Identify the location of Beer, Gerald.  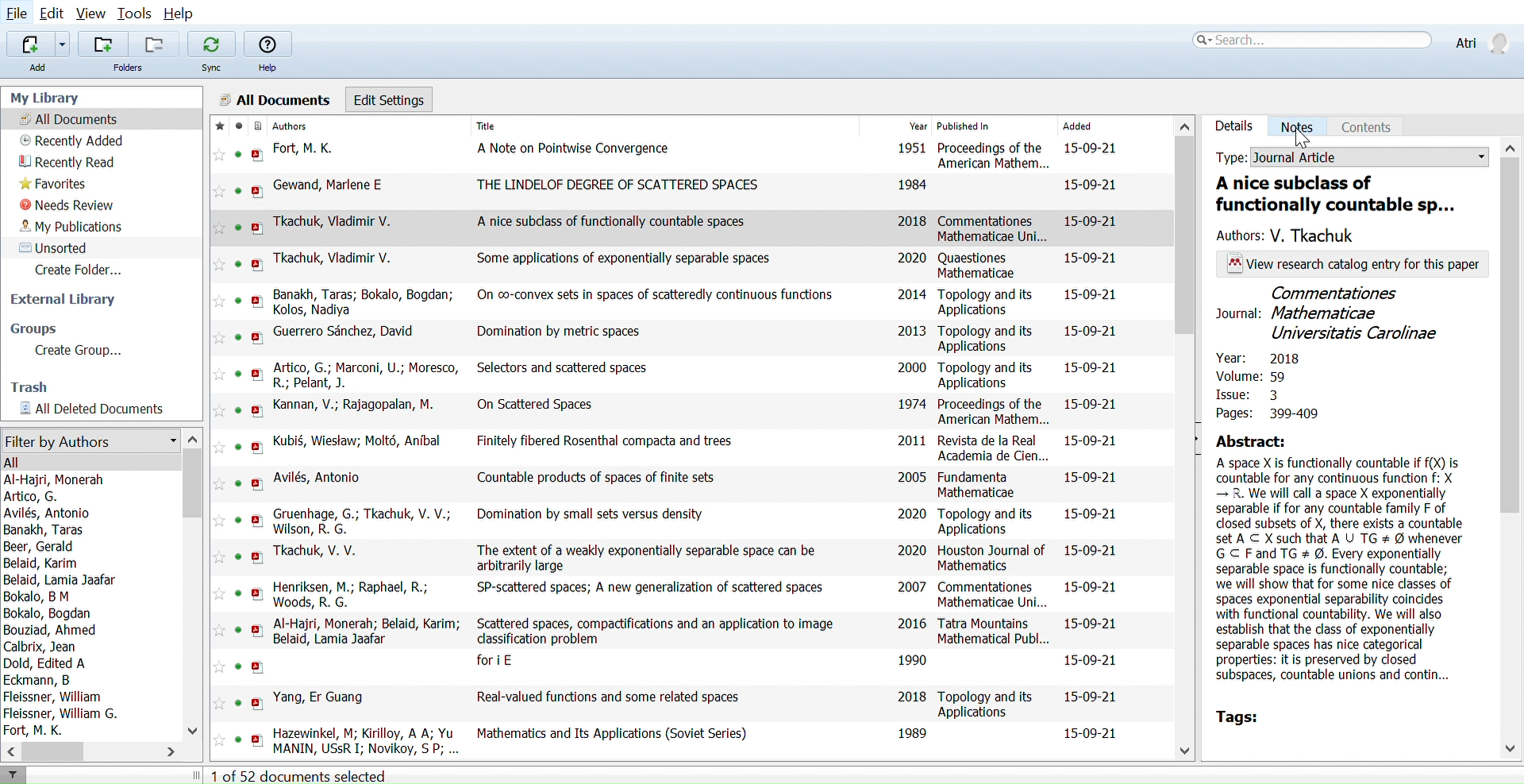
(43, 547).